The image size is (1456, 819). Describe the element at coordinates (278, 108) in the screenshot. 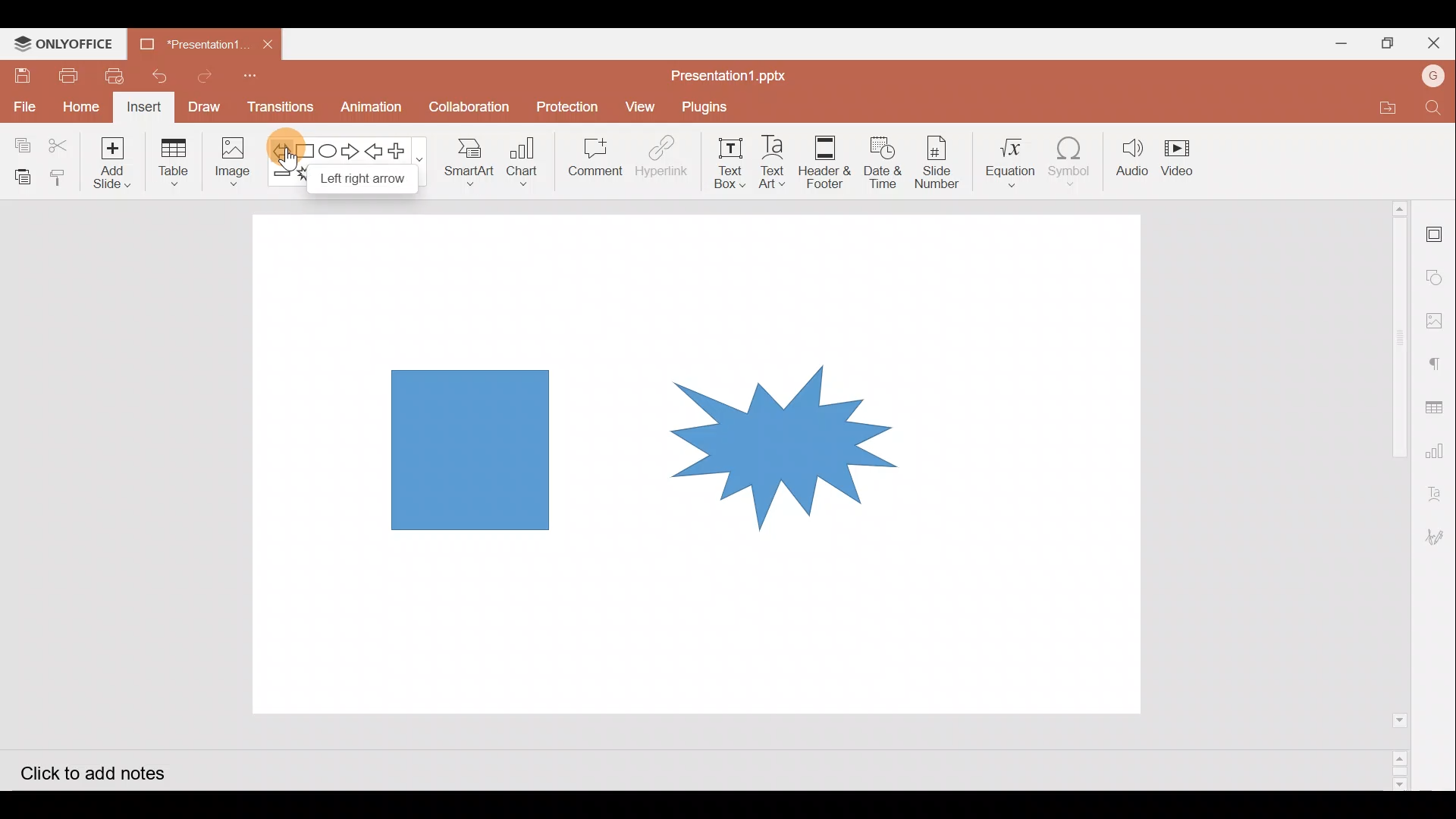

I see `Transitions` at that location.